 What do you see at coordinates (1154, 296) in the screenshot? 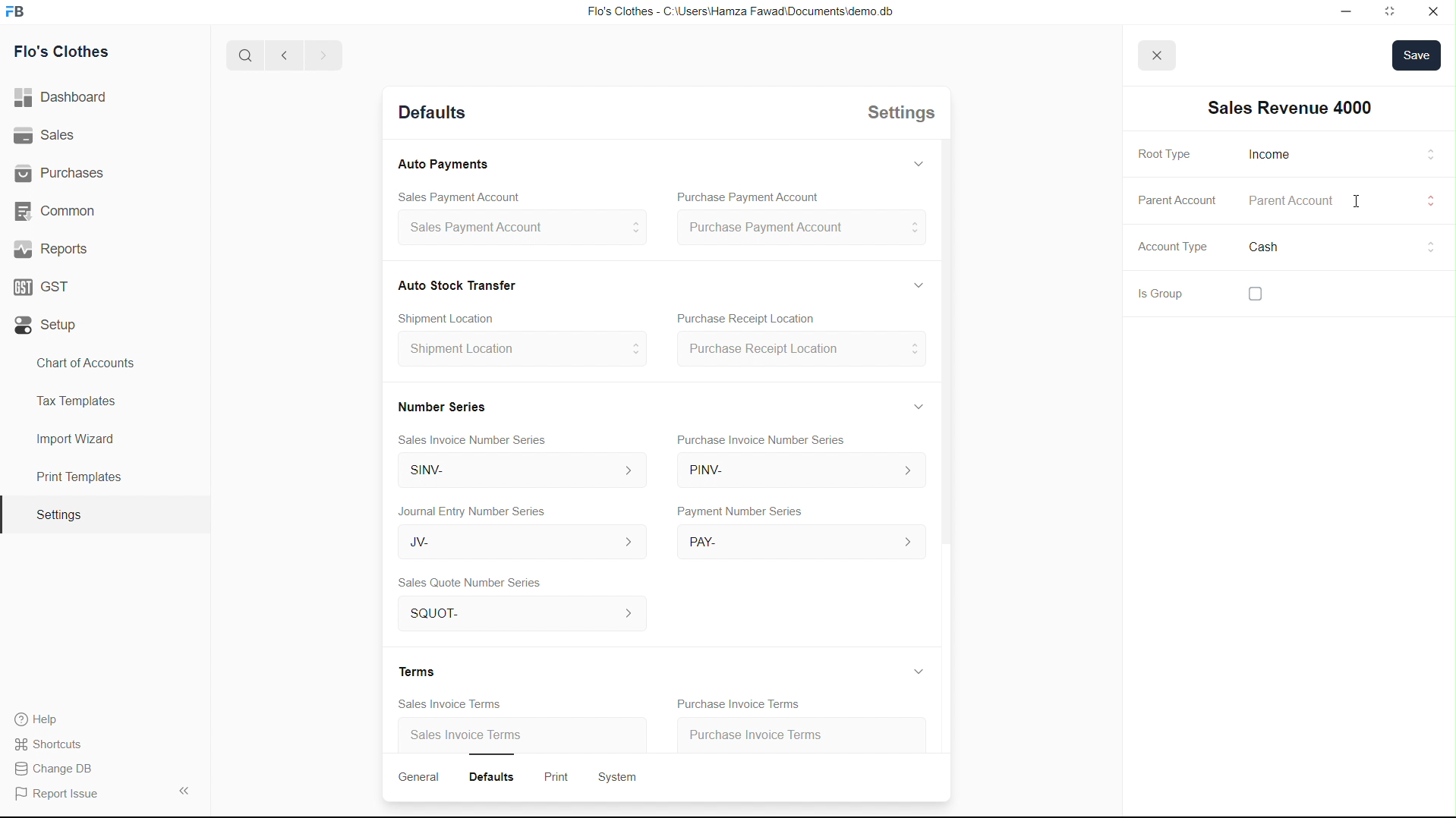
I see `Is Group` at bounding box center [1154, 296].